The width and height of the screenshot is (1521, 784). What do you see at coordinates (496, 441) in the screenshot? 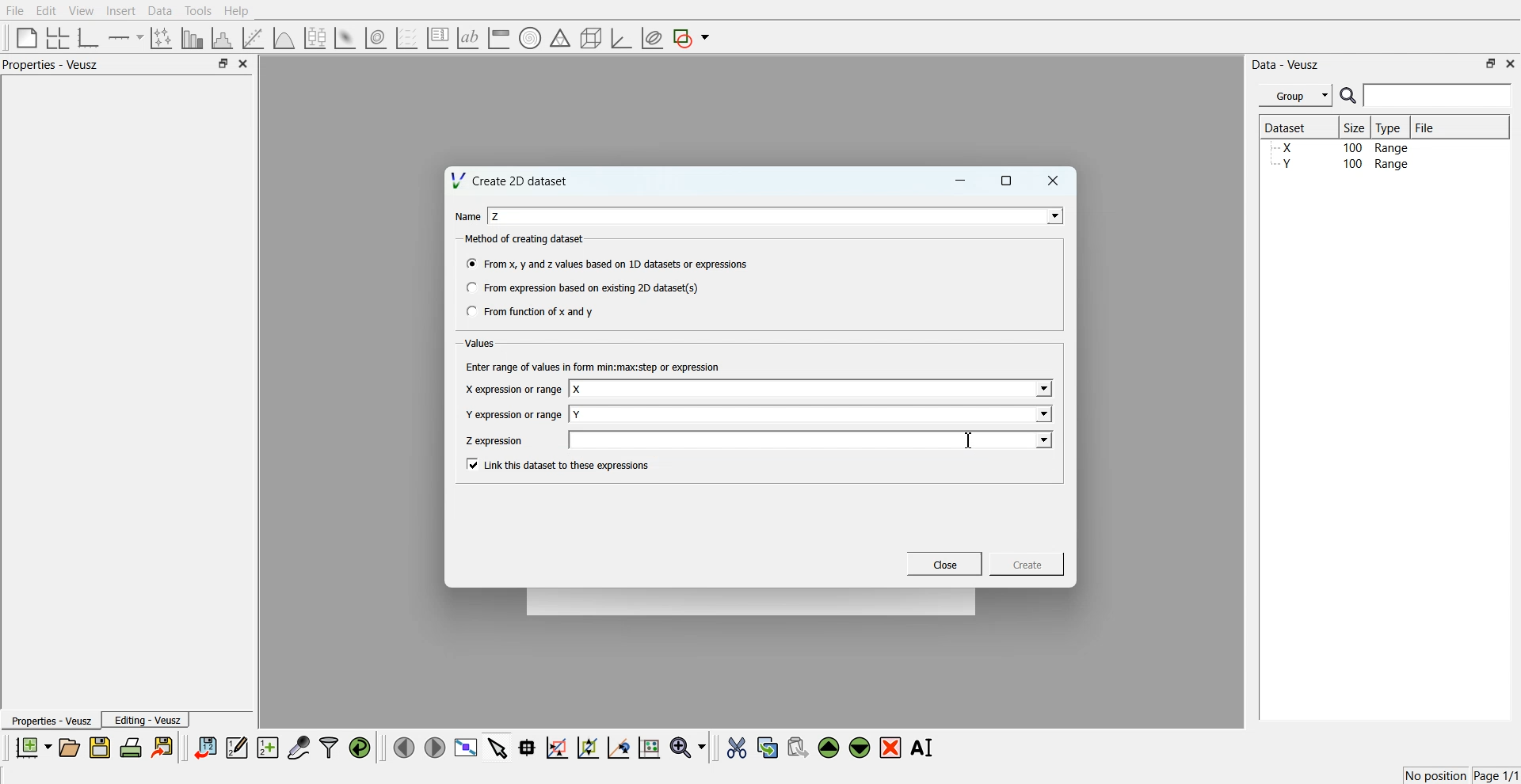
I see `}  Zexpression` at bounding box center [496, 441].